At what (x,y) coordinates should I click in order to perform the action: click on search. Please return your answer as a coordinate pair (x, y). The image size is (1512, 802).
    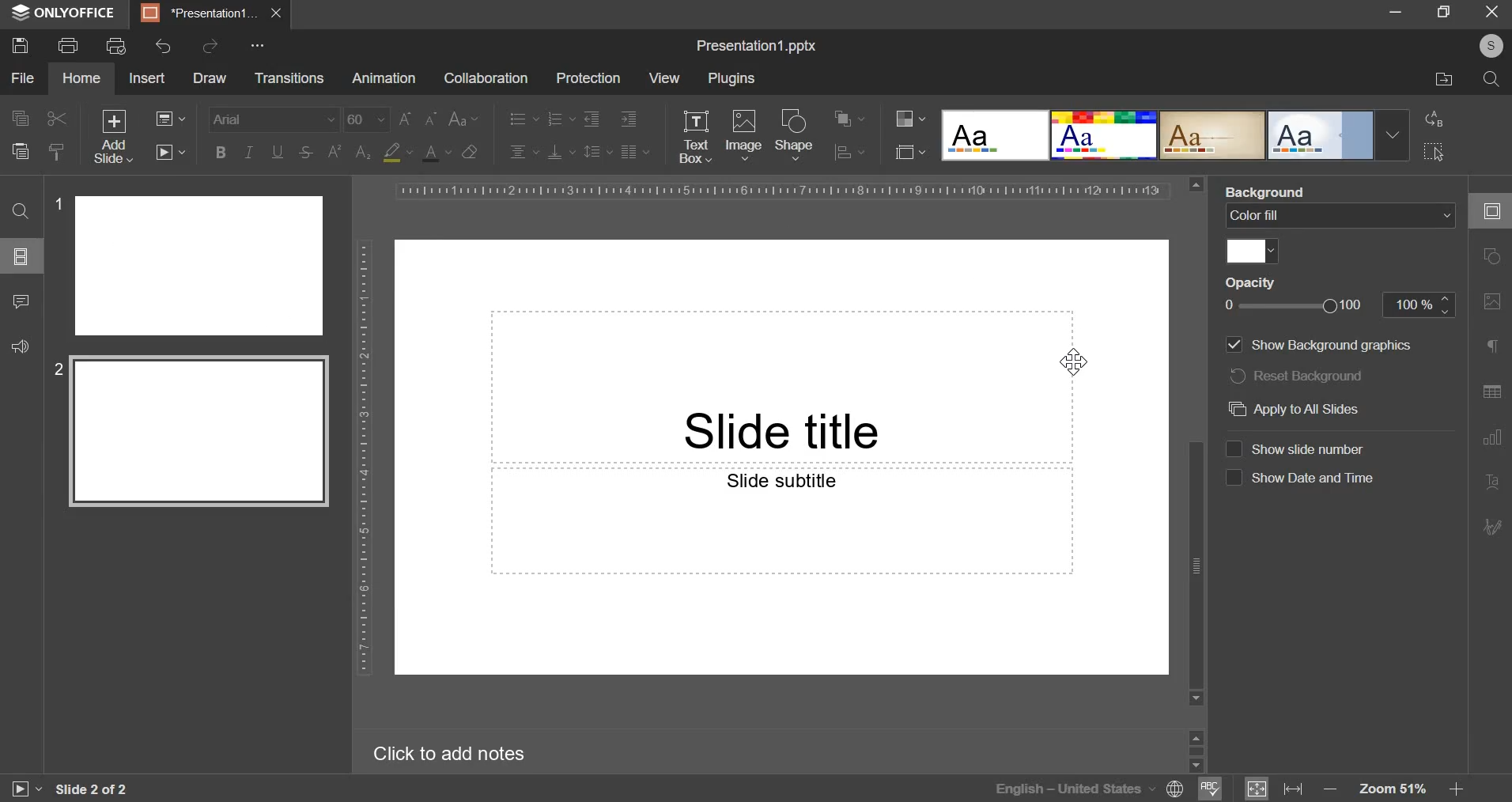
    Looking at the image, I should click on (1491, 79).